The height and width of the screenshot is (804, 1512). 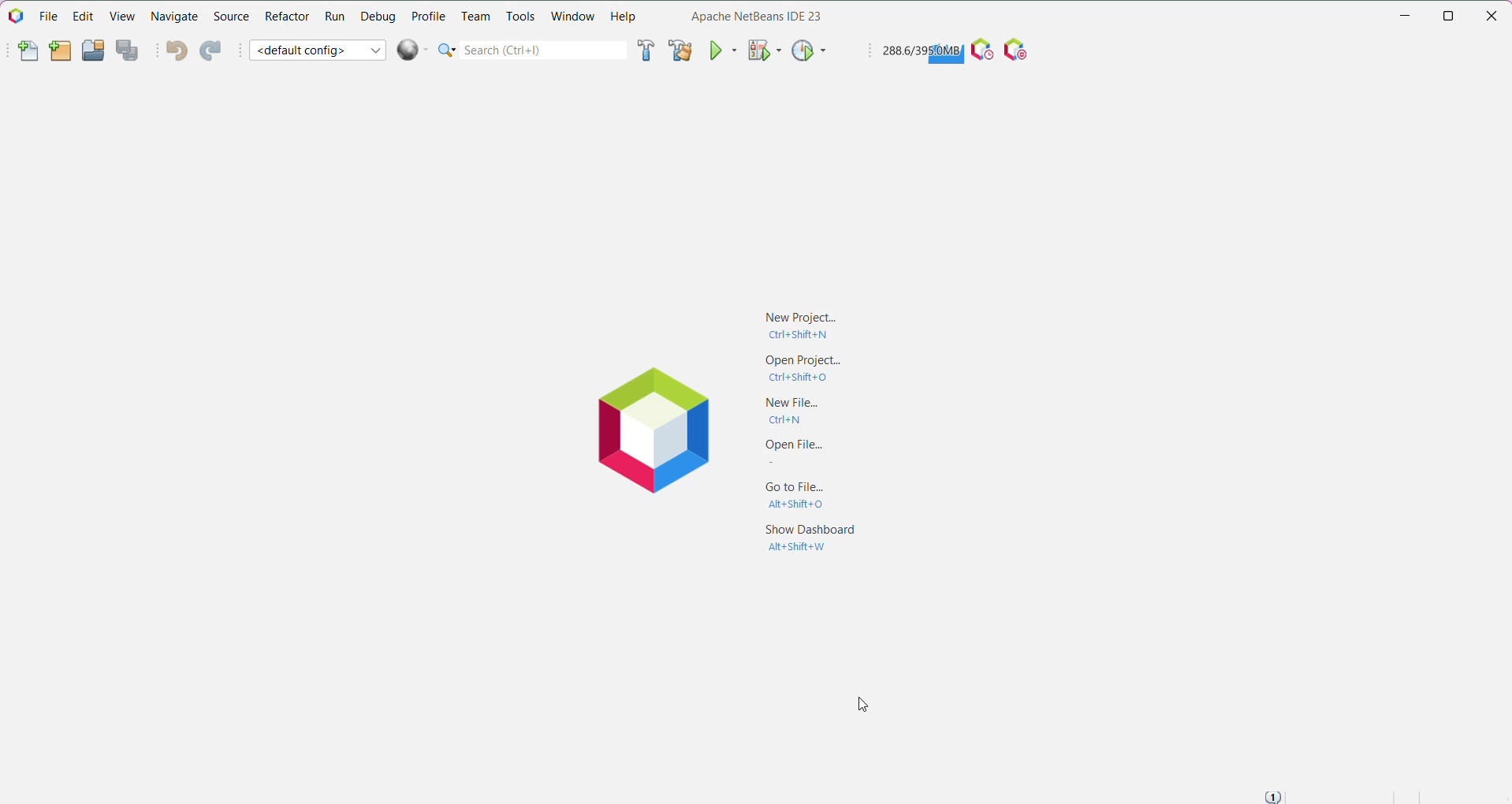 I want to click on Save All, so click(x=129, y=50).